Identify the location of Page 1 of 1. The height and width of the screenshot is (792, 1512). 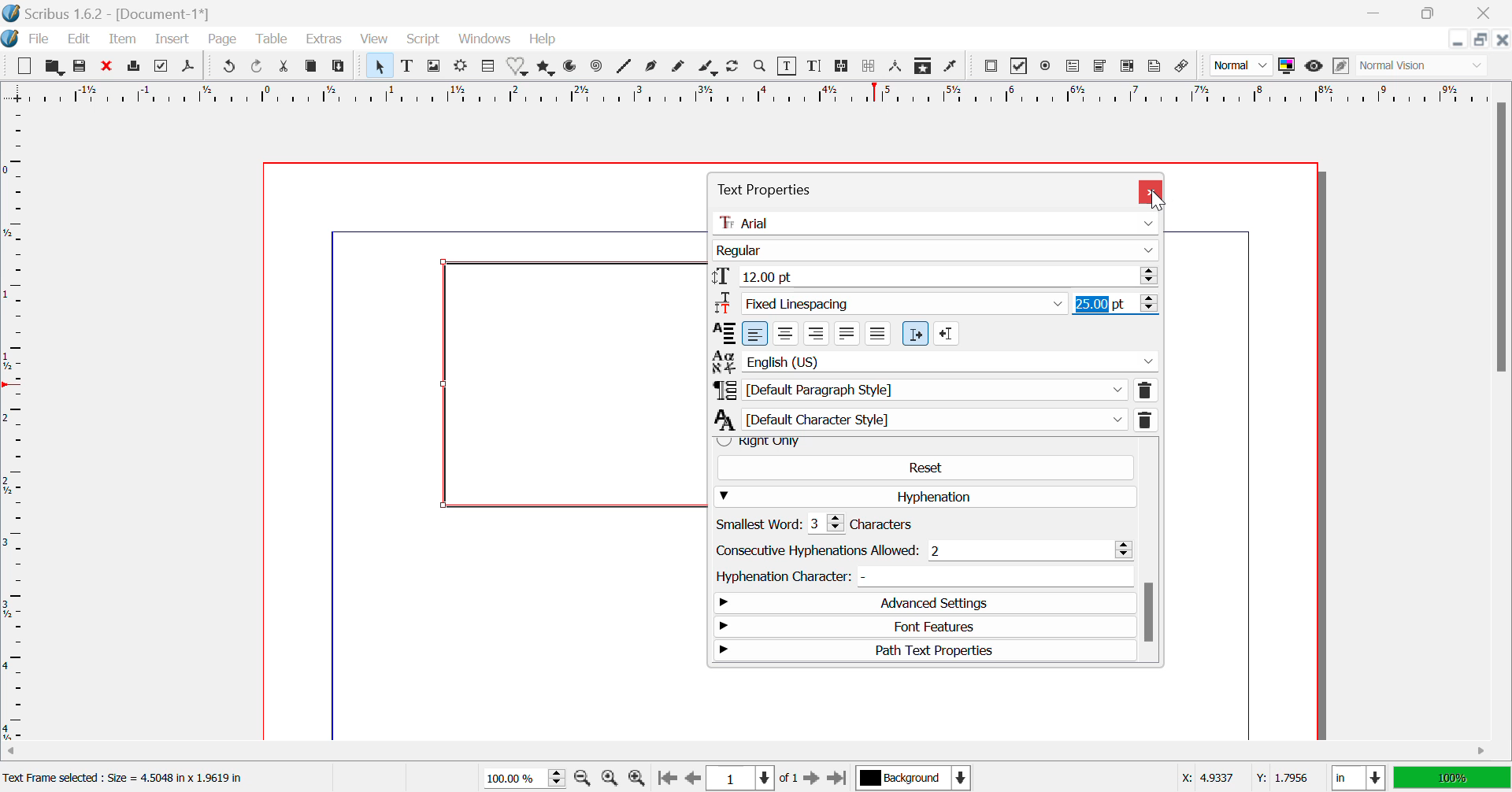
(752, 777).